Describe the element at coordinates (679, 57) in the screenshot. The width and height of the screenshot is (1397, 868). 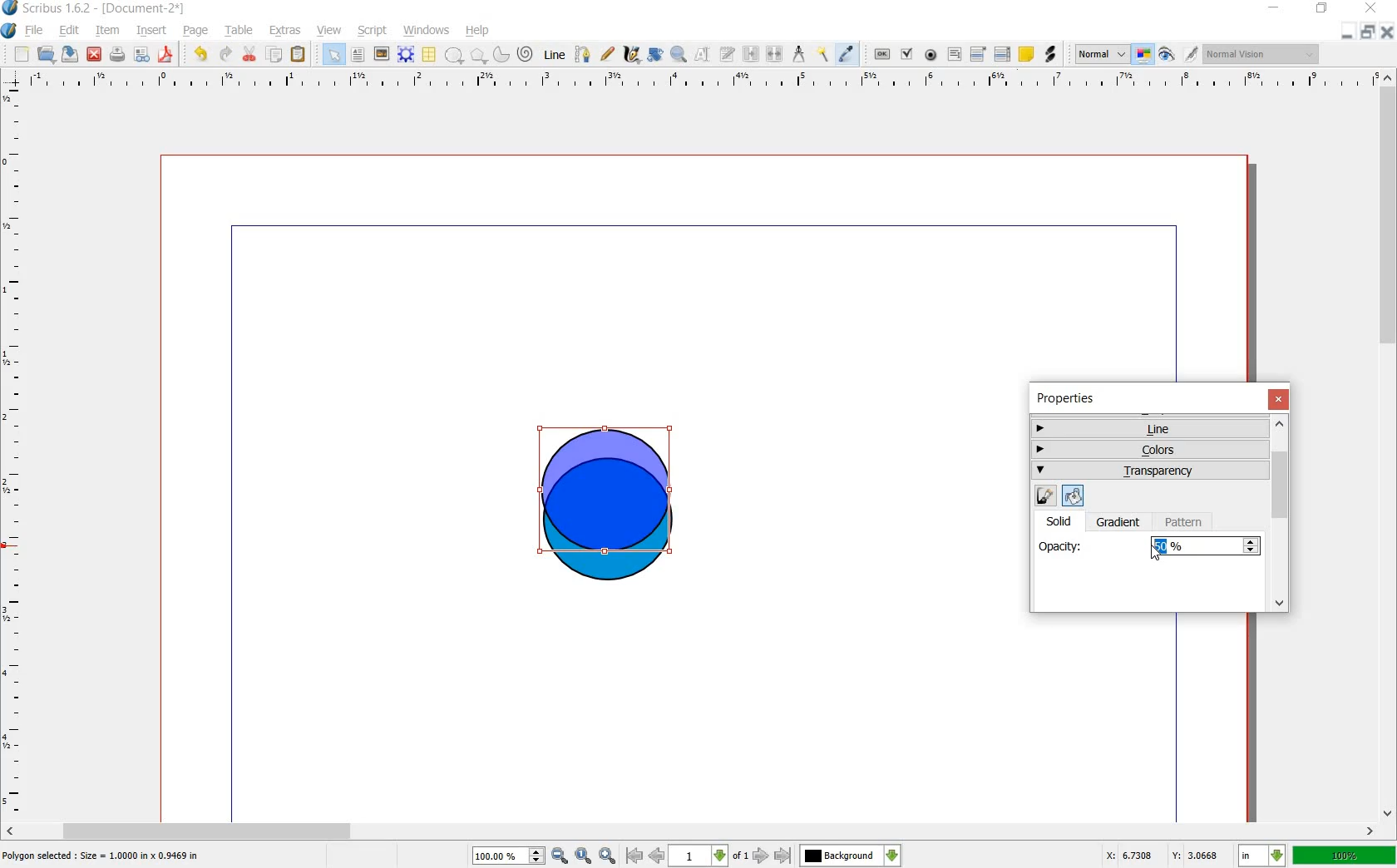
I see `zoom in or out` at that location.